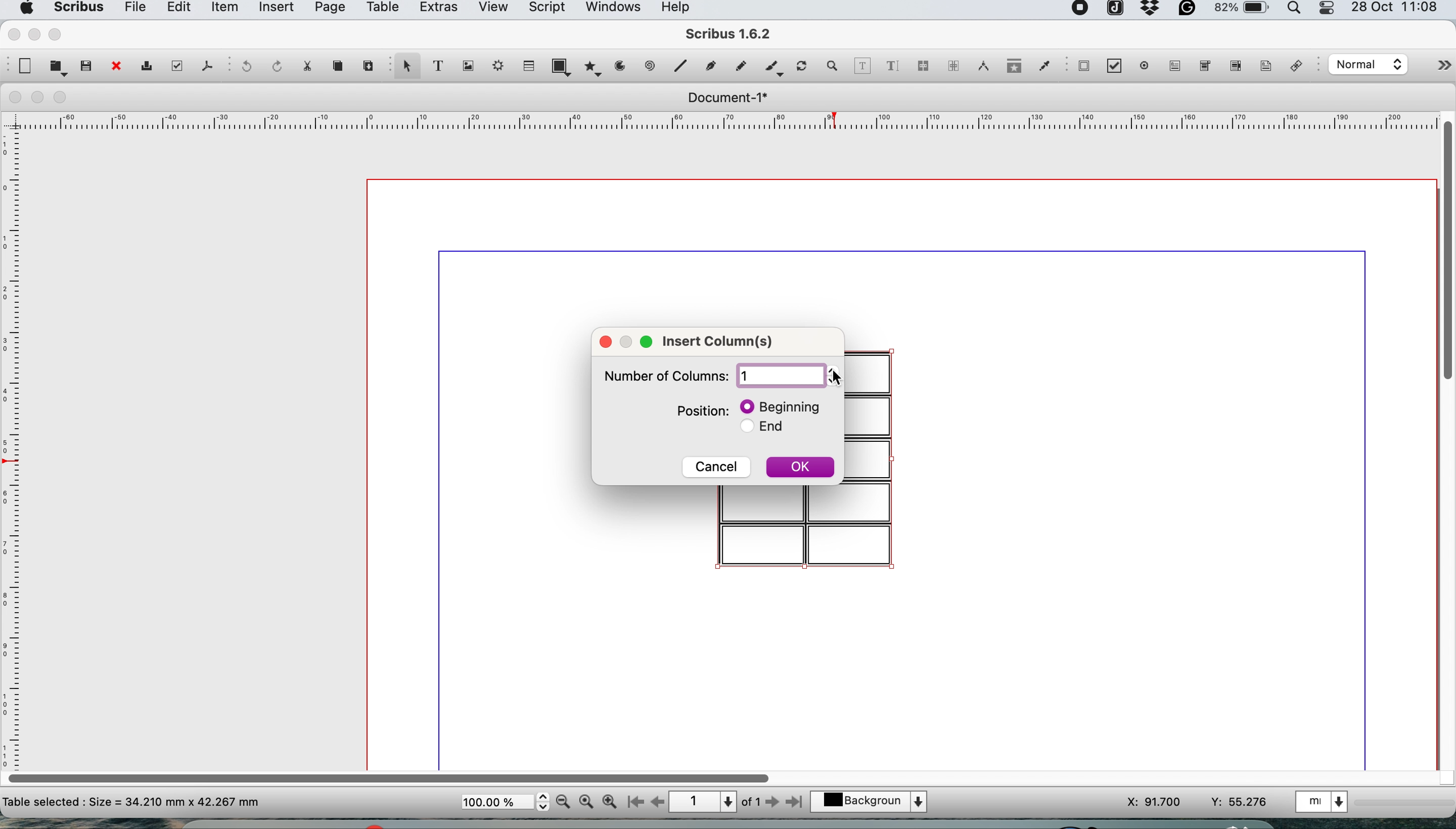  What do you see at coordinates (634, 803) in the screenshot?
I see `go to first page` at bounding box center [634, 803].